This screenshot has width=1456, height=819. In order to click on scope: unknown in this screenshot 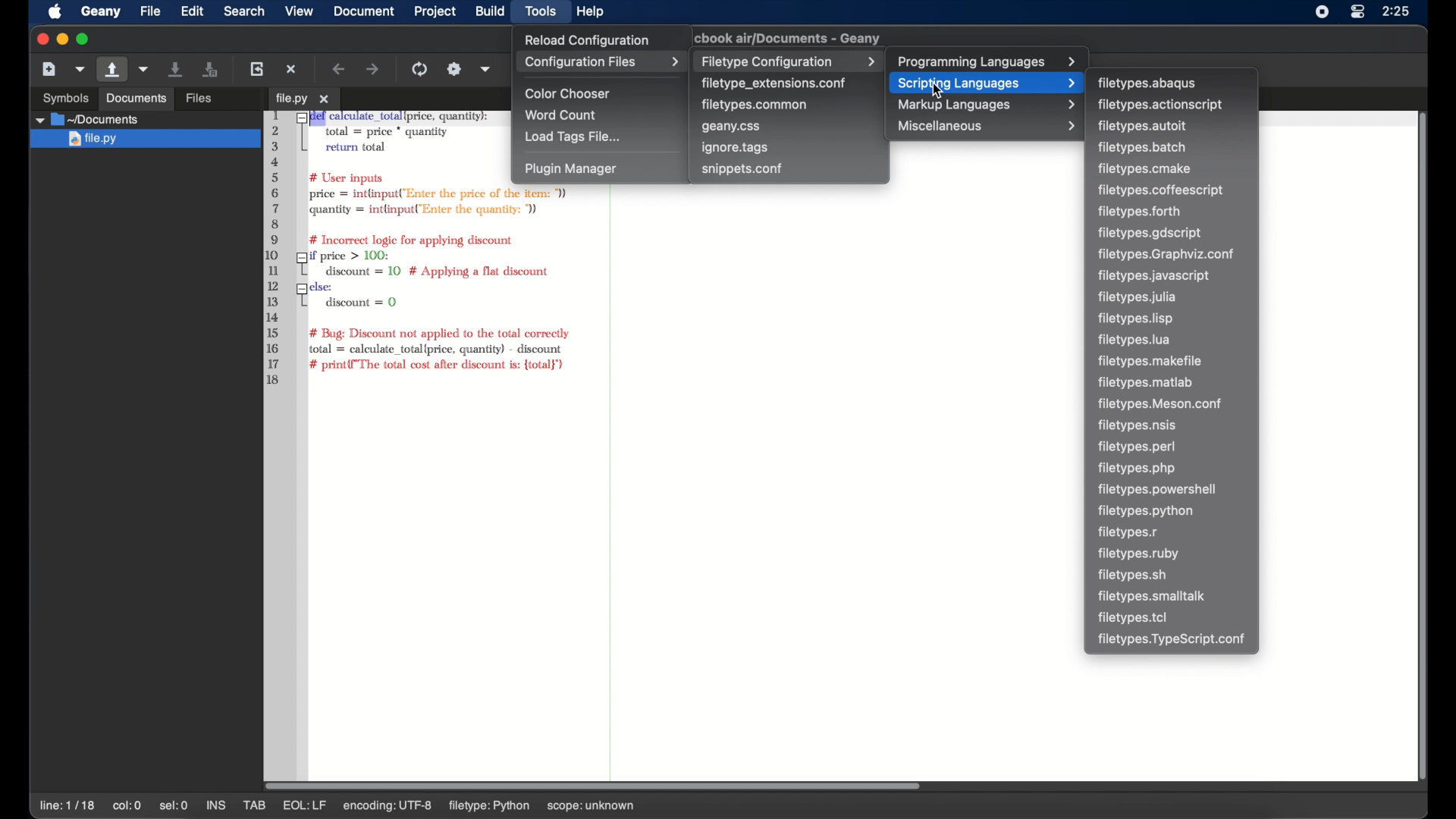, I will do `click(637, 807)`.